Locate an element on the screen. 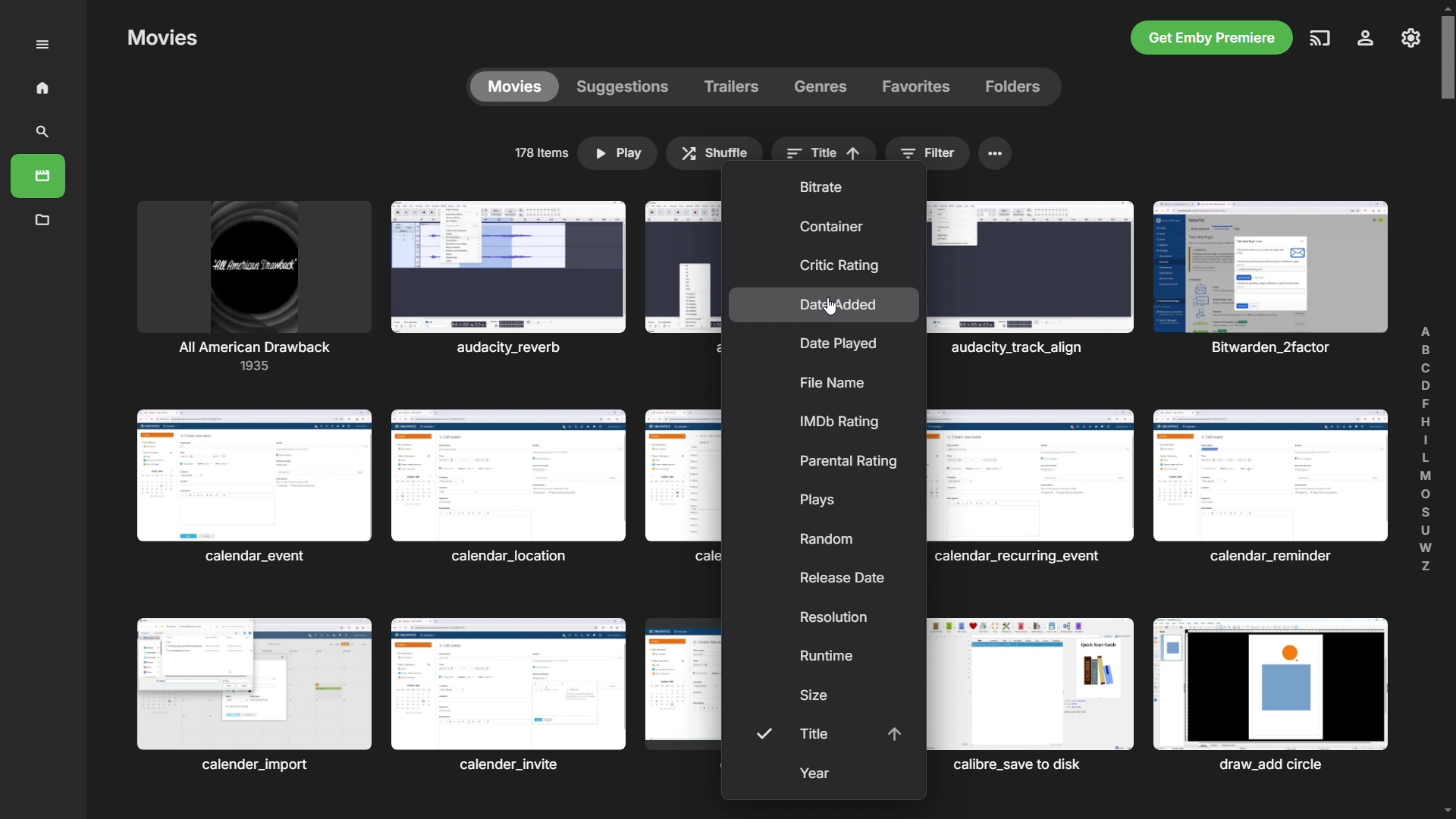 This screenshot has width=1456, height=819. size is located at coordinates (822, 690).